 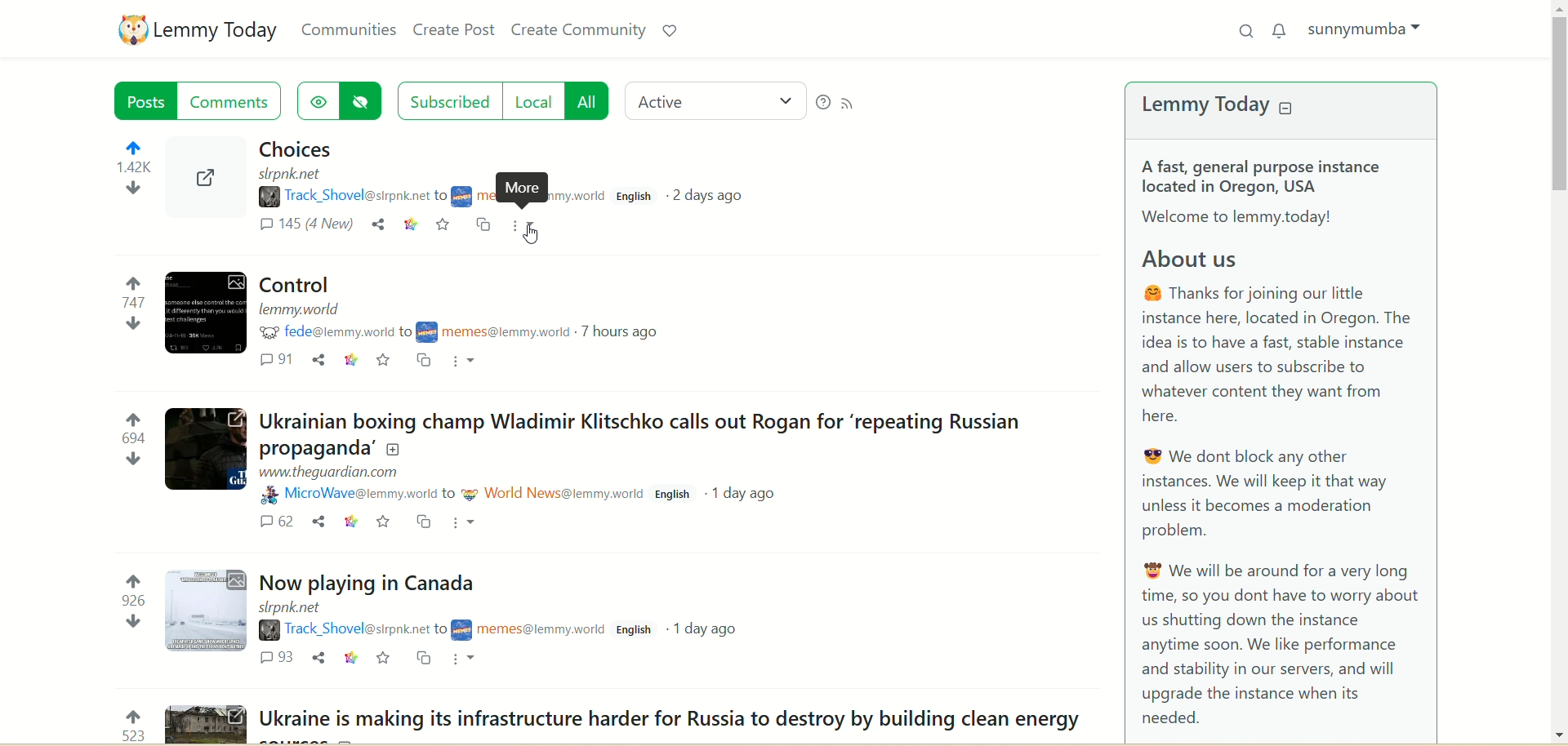 What do you see at coordinates (348, 628) in the screenshot?
I see `username` at bounding box center [348, 628].